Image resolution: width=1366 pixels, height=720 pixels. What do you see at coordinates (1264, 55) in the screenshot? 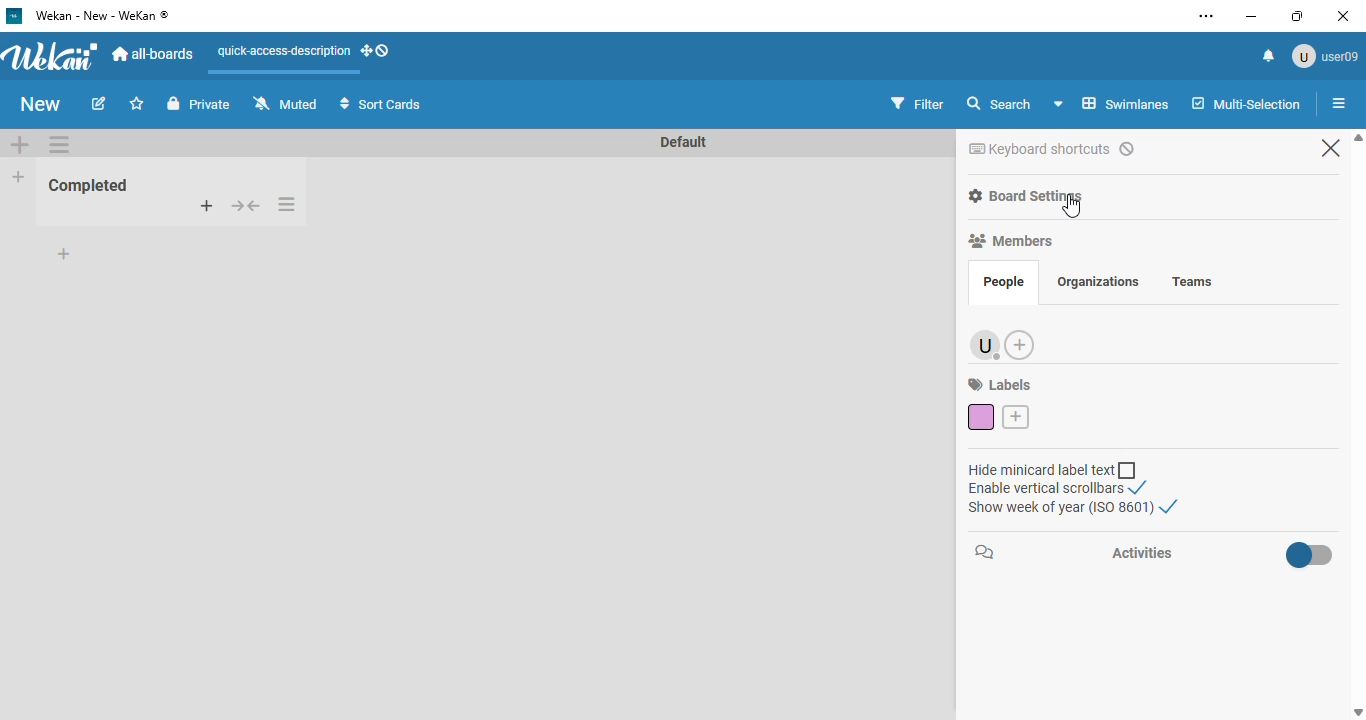
I see `notifications` at bounding box center [1264, 55].